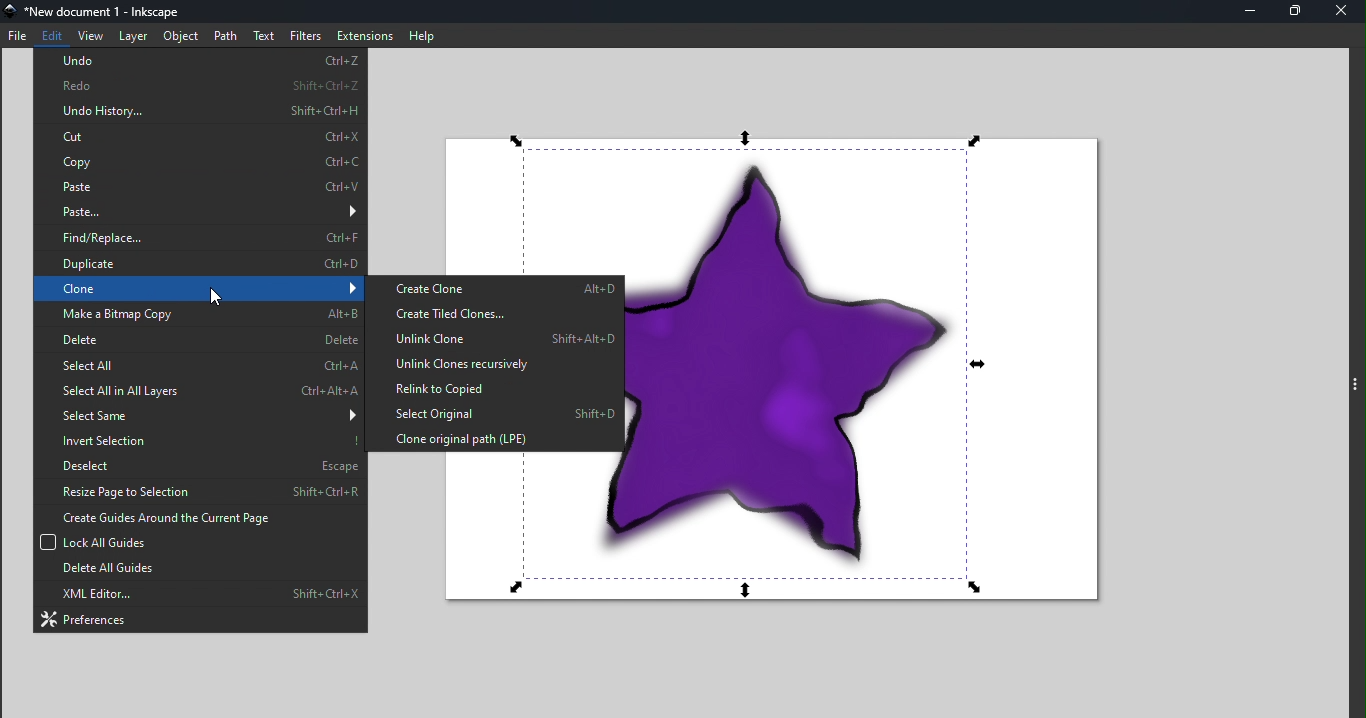 Image resolution: width=1366 pixels, height=718 pixels. I want to click on Relink to copied, so click(492, 388).